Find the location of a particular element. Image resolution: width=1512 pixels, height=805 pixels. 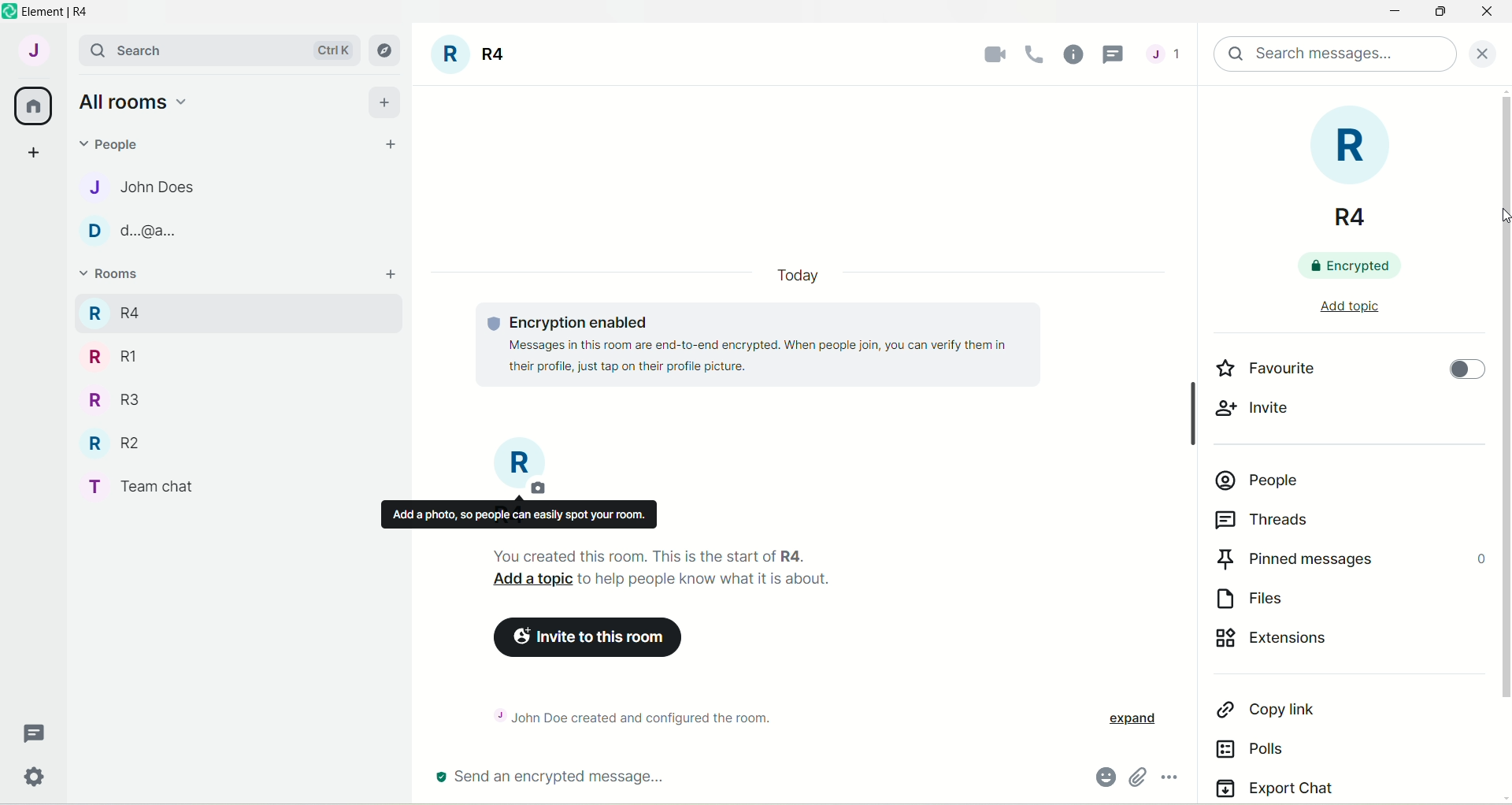

vertical scroll bar is located at coordinates (1503, 445).